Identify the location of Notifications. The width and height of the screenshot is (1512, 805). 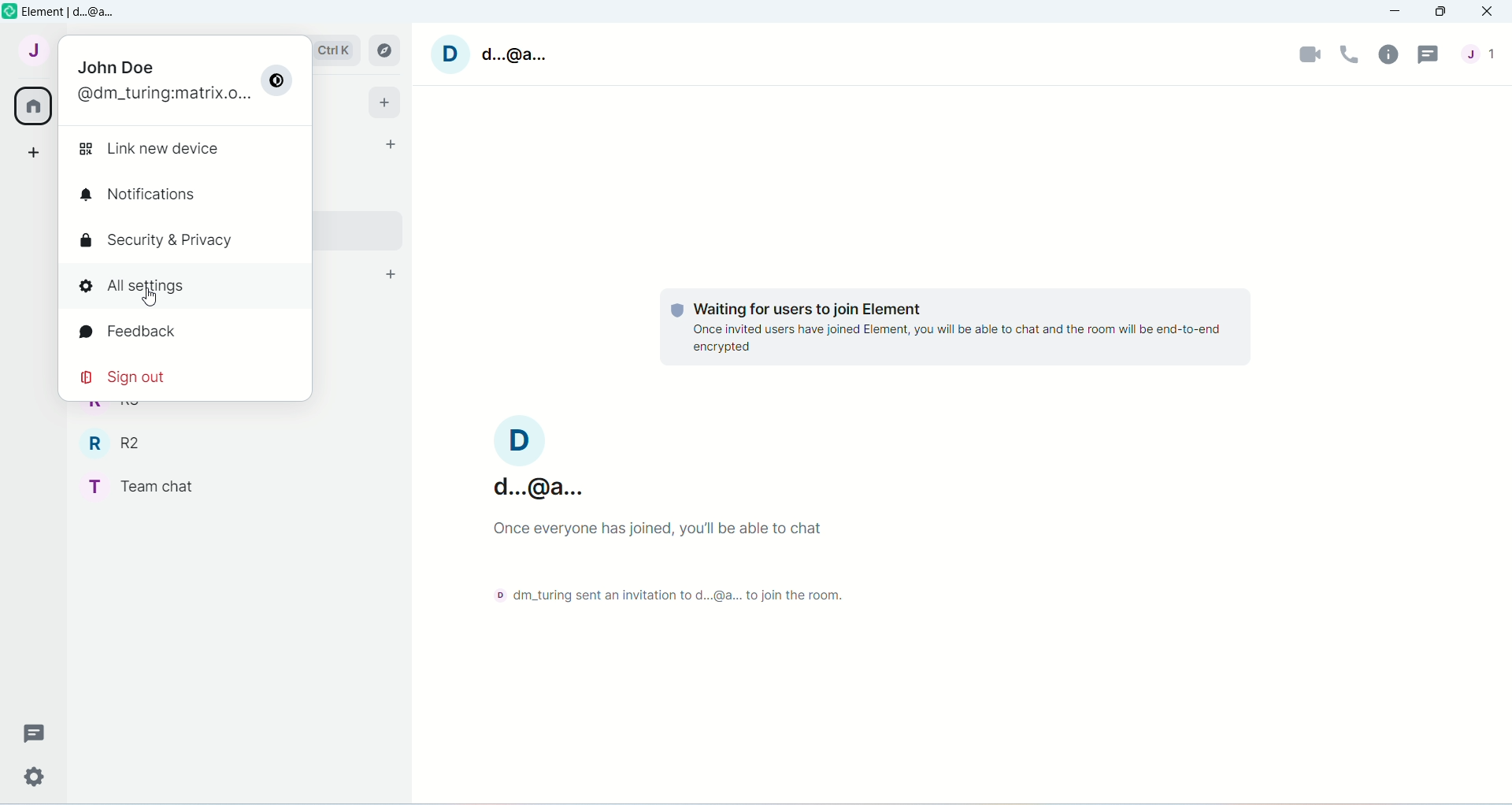
(138, 193).